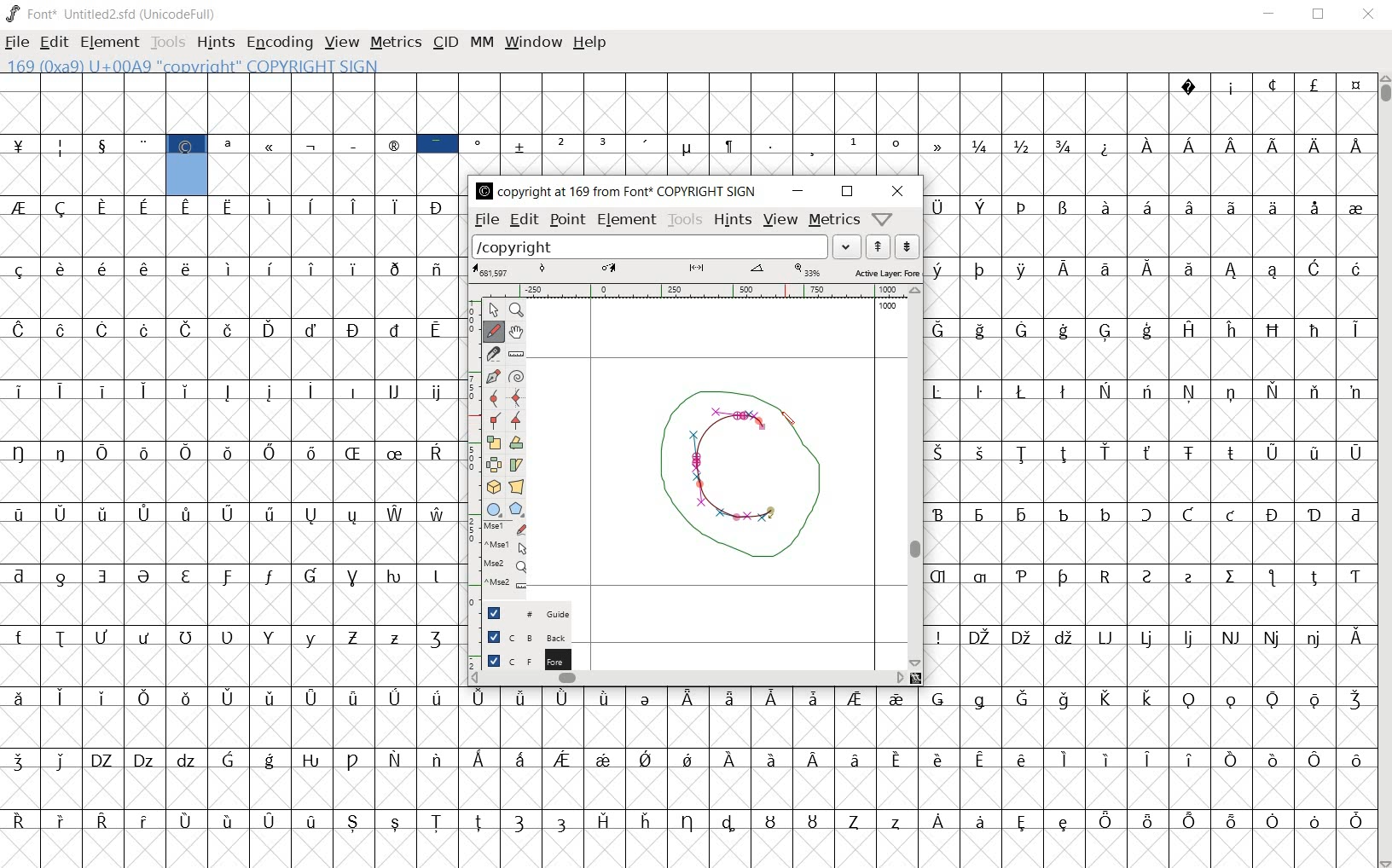 The width and height of the screenshot is (1392, 868). What do you see at coordinates (480, 40) in the screenshot?
I see `mm` at bounding box center [480, 40].